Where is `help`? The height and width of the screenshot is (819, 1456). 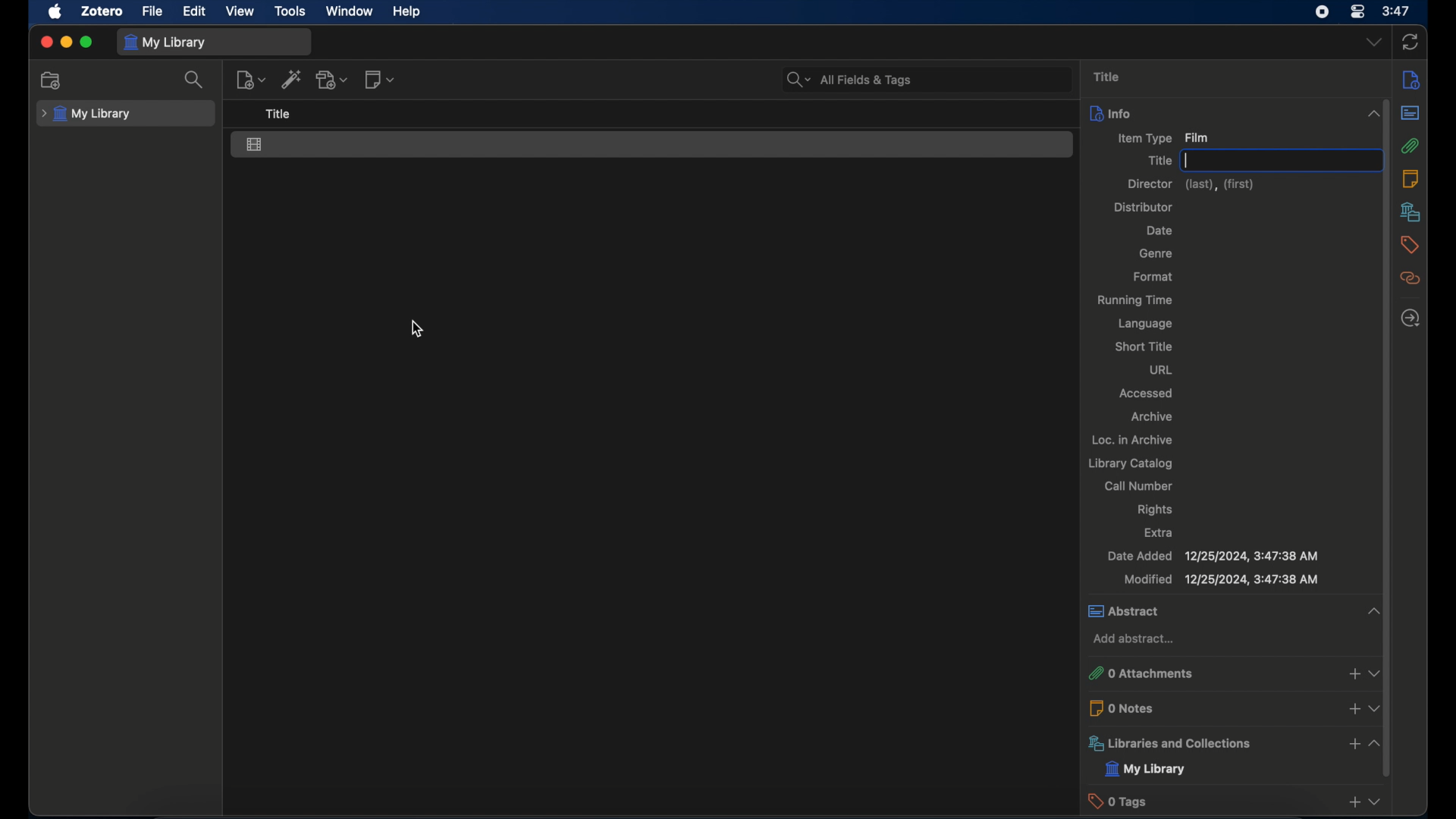 help is located at coordinates (408, 12).